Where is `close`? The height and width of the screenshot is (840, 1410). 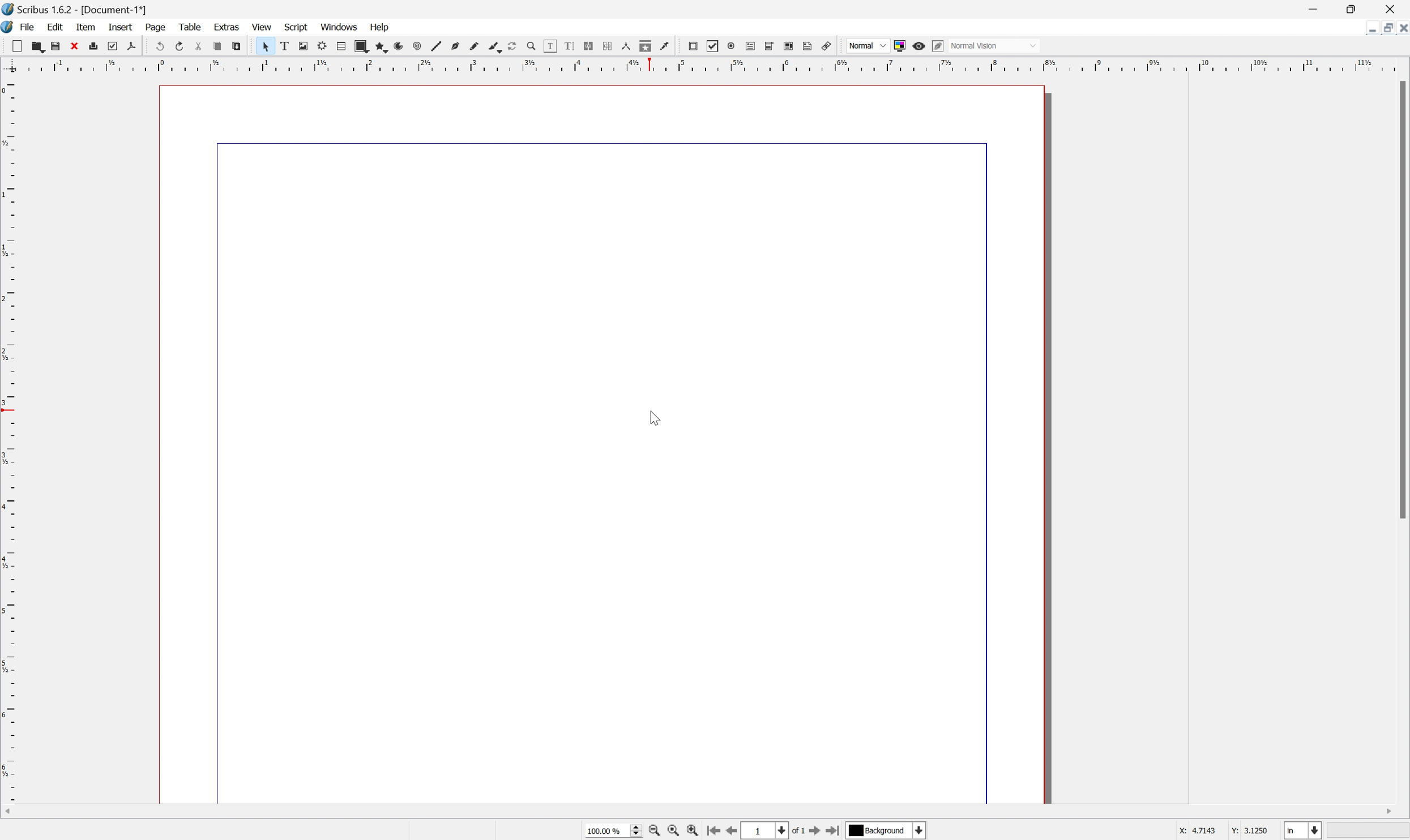
close is located at coordinates (73, 45).